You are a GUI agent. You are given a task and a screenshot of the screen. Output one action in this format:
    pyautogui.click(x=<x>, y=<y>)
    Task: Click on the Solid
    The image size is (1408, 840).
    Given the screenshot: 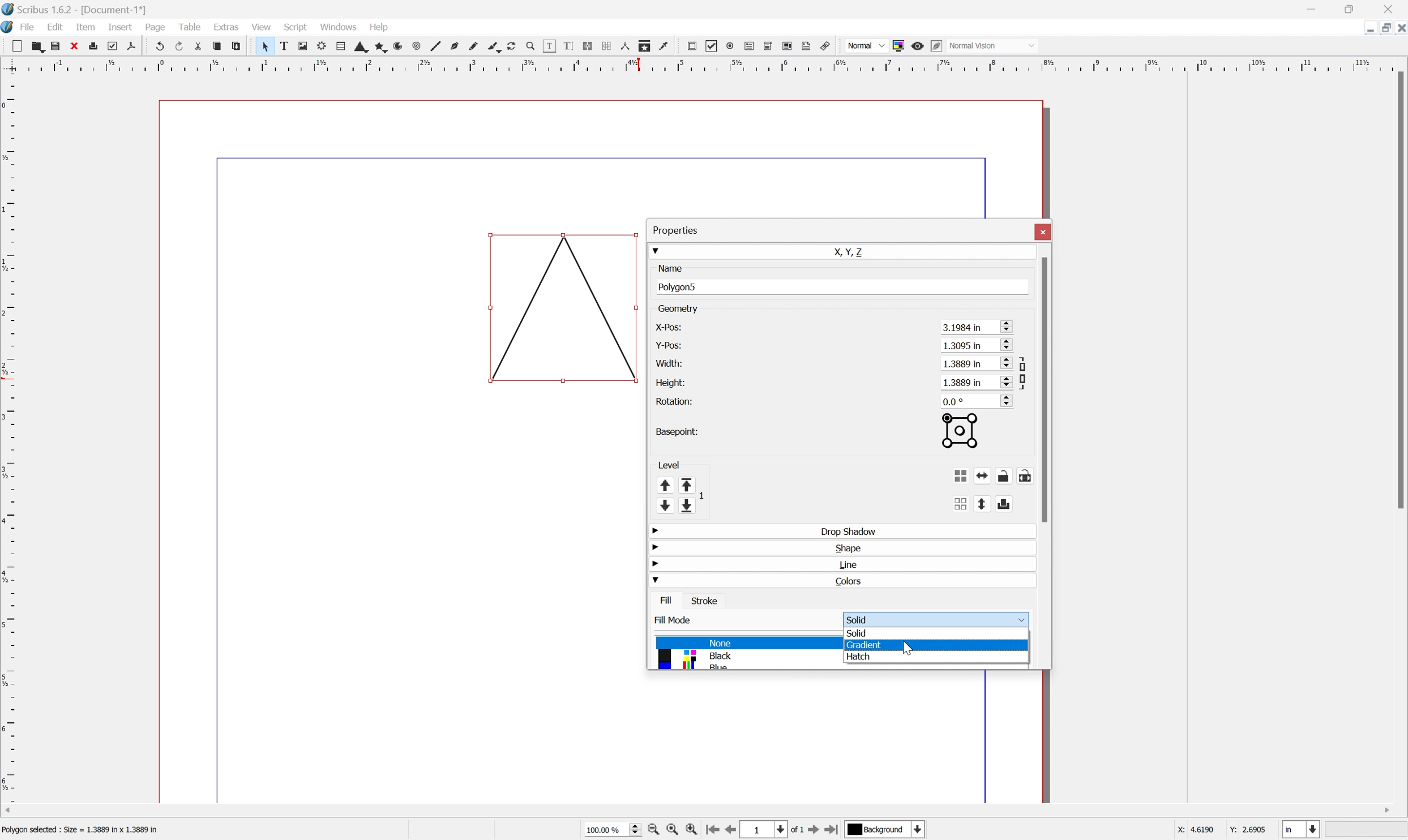 What is the action you would take?
    pyautogui.click(x=935, y=620)
    